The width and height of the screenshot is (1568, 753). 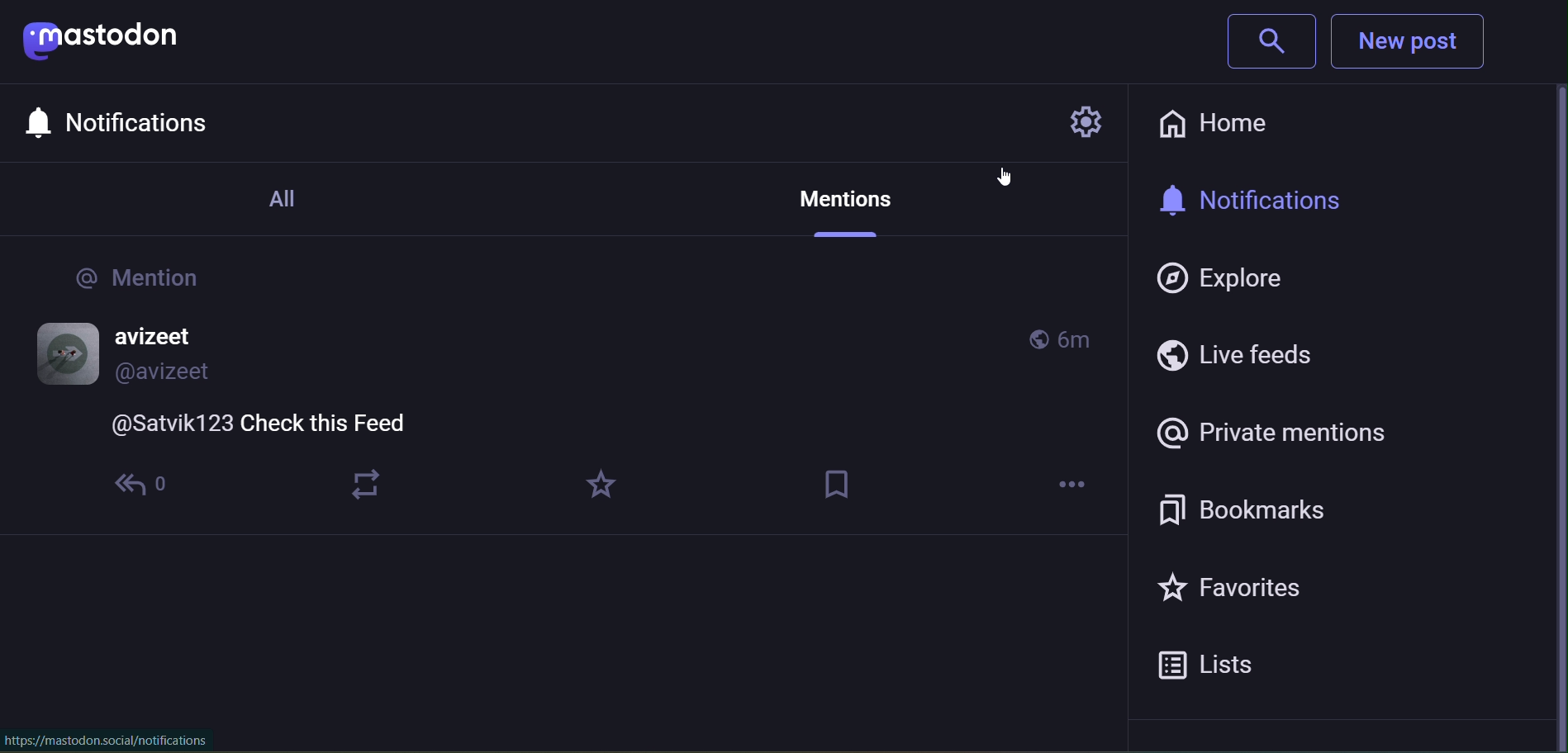 I want to click on home, so click(x=1220, y=127).